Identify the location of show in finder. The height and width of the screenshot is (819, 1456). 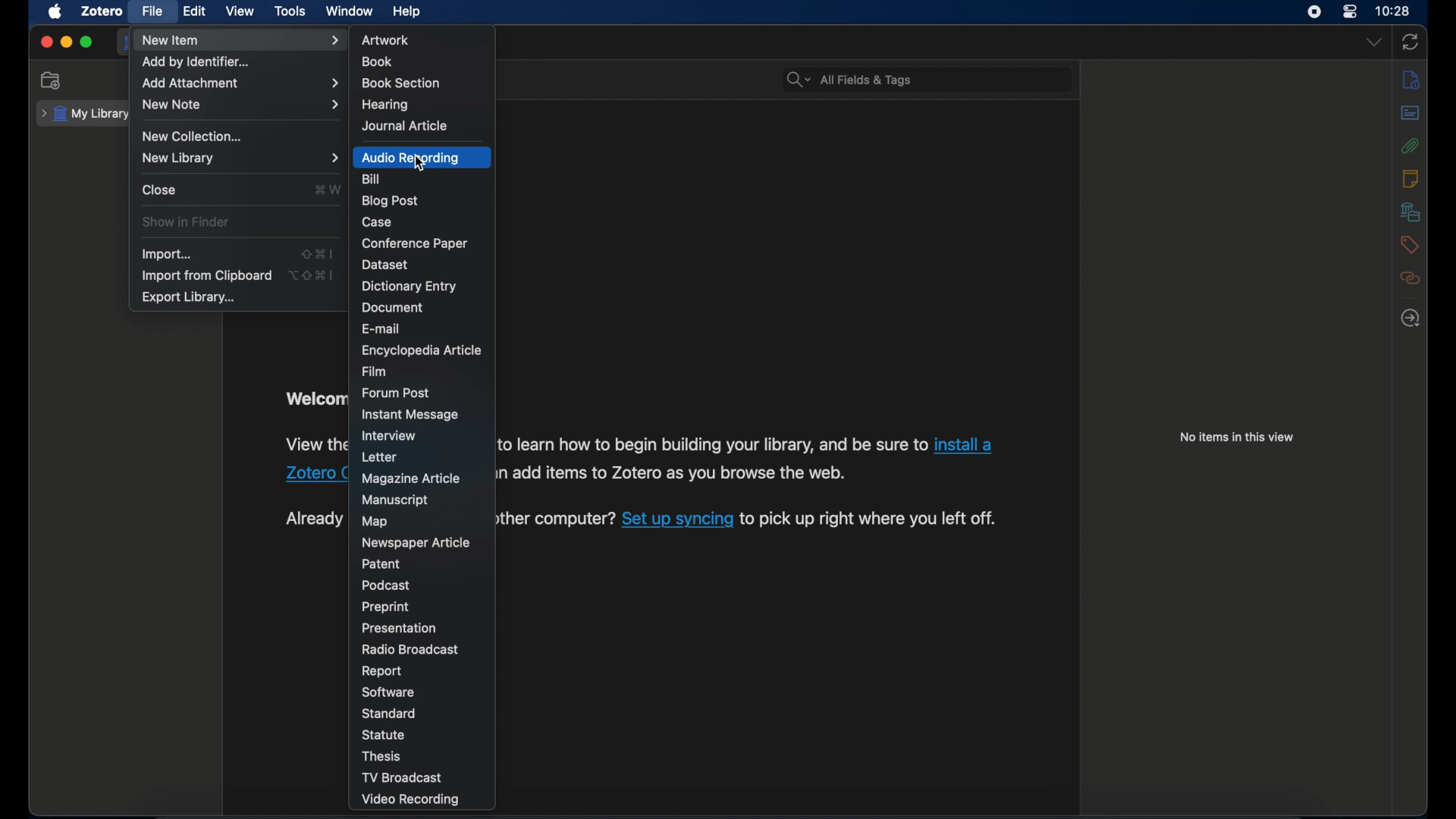
(187, 222).